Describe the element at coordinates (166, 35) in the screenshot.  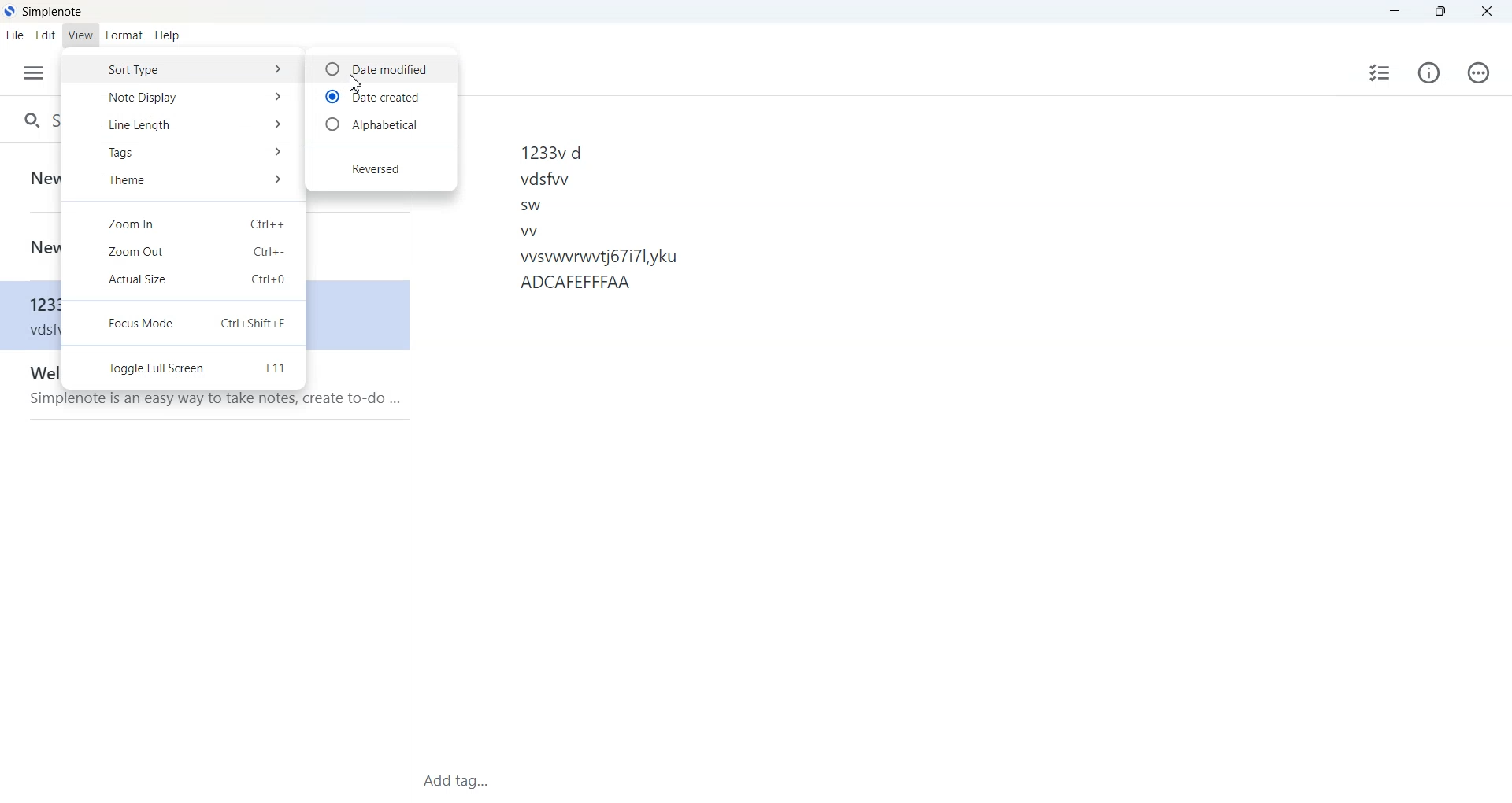
I see `Help` at that location.